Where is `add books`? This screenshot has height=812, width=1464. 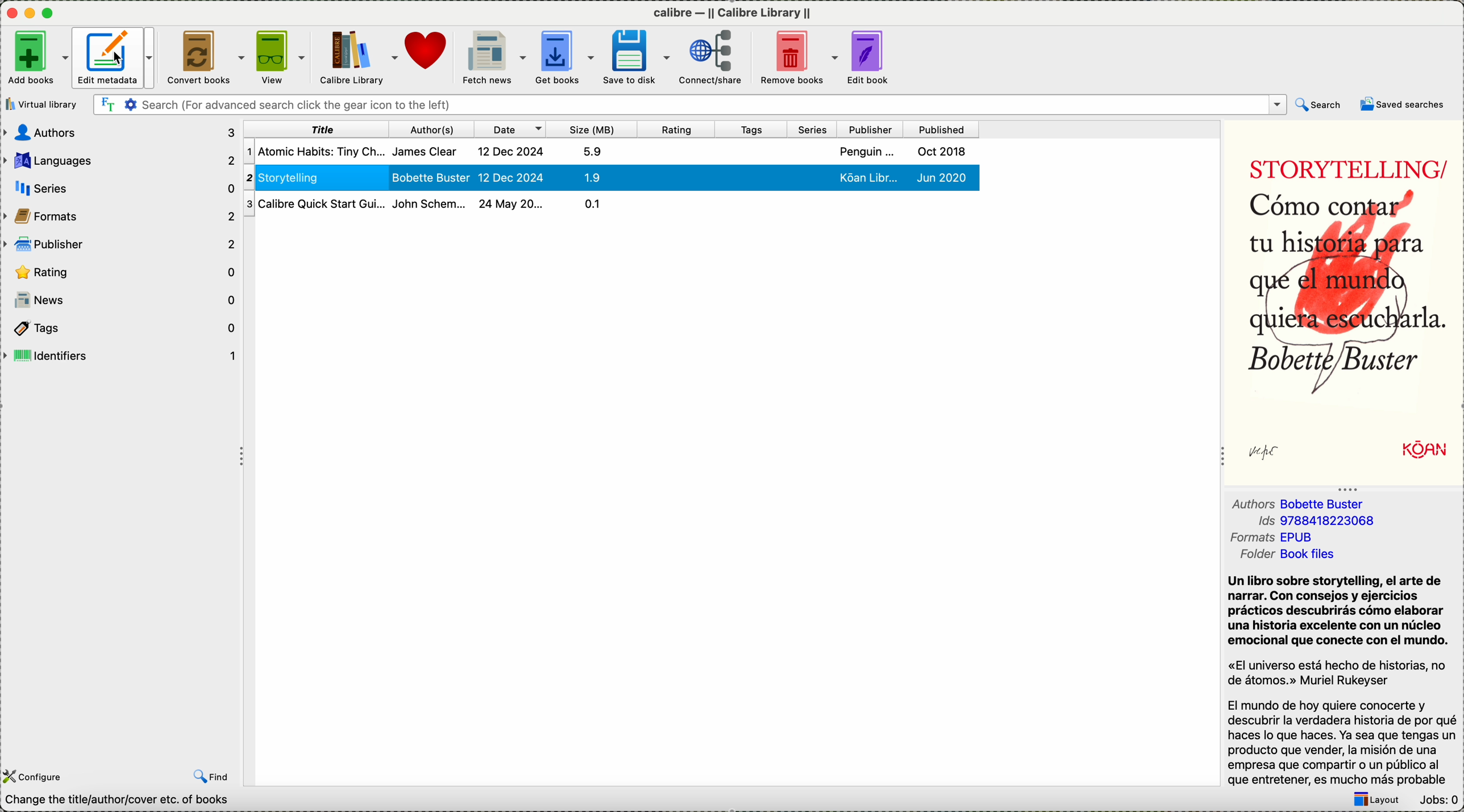 add books is located at coordinates (35, 57).